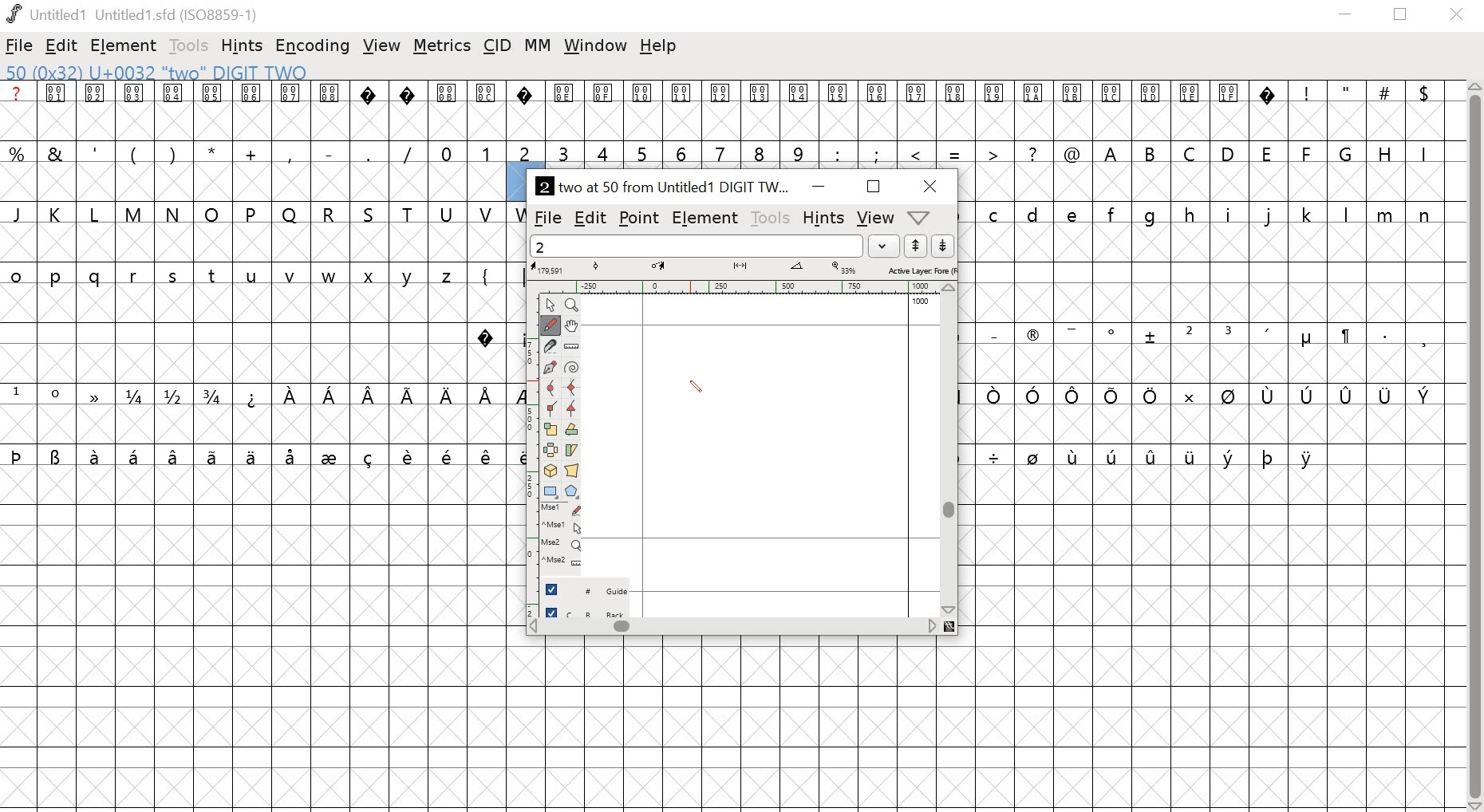 The image size is (1484, 812). What do you see at coordinates (571, 388) in the screenshot?
I see `HV curve` at bounding box center [571, 388].